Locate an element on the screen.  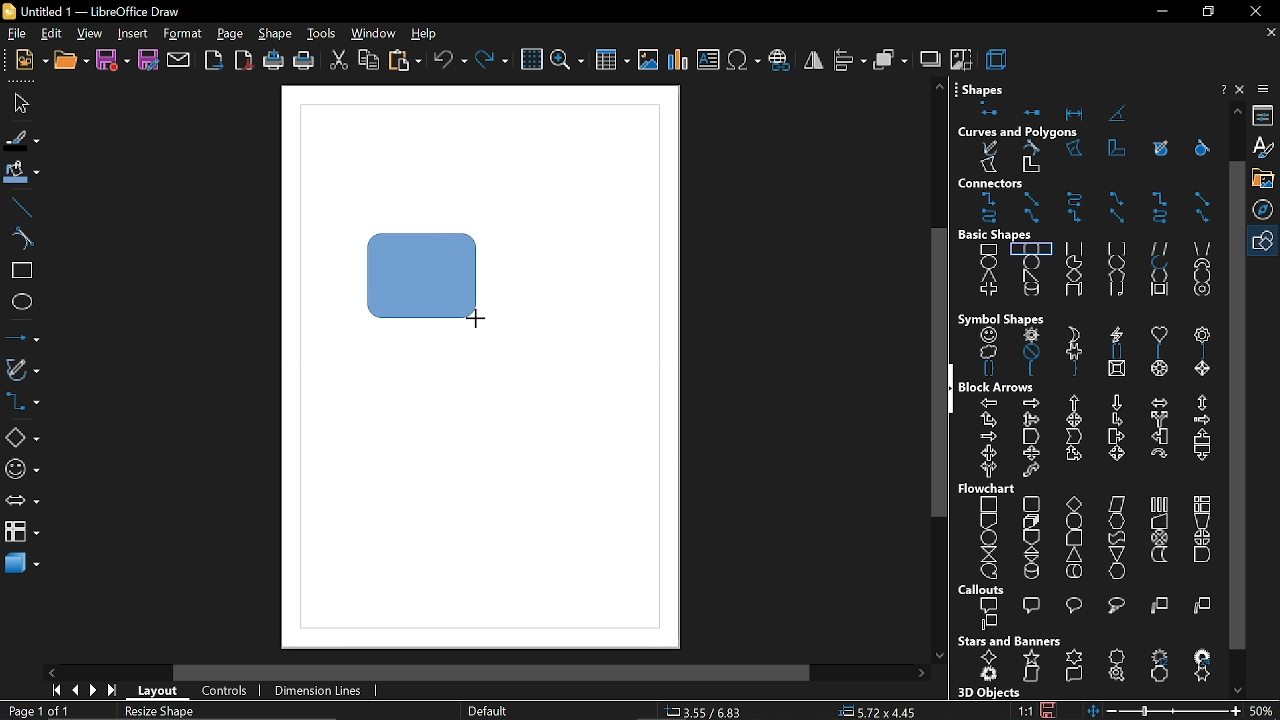
callout is located at coordinates (1088, 615).